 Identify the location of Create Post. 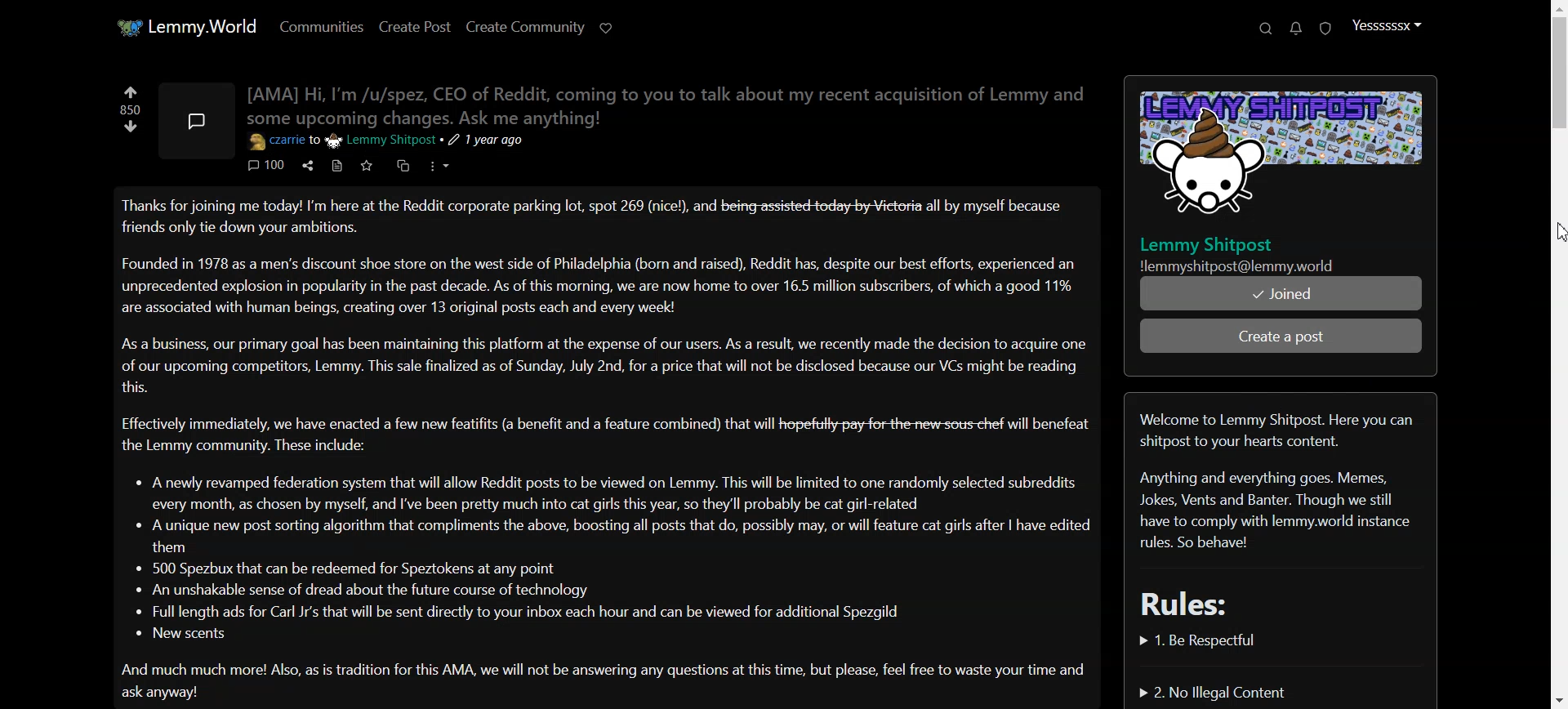
(416, 26).